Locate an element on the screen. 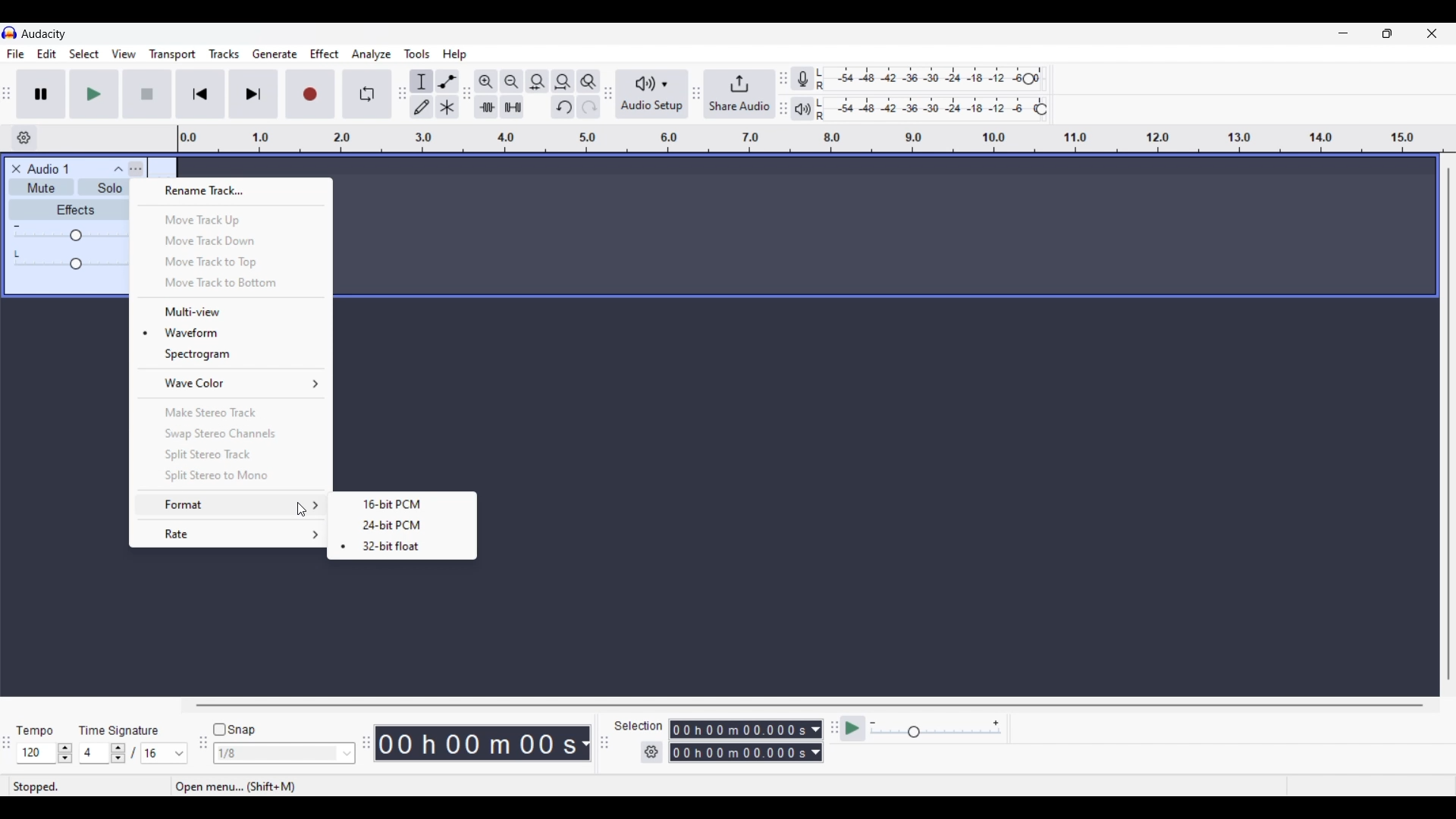 The image size is (1456, 819). Play-at-speed/Play-at-speed oncce is located at coordinates (853, 729).